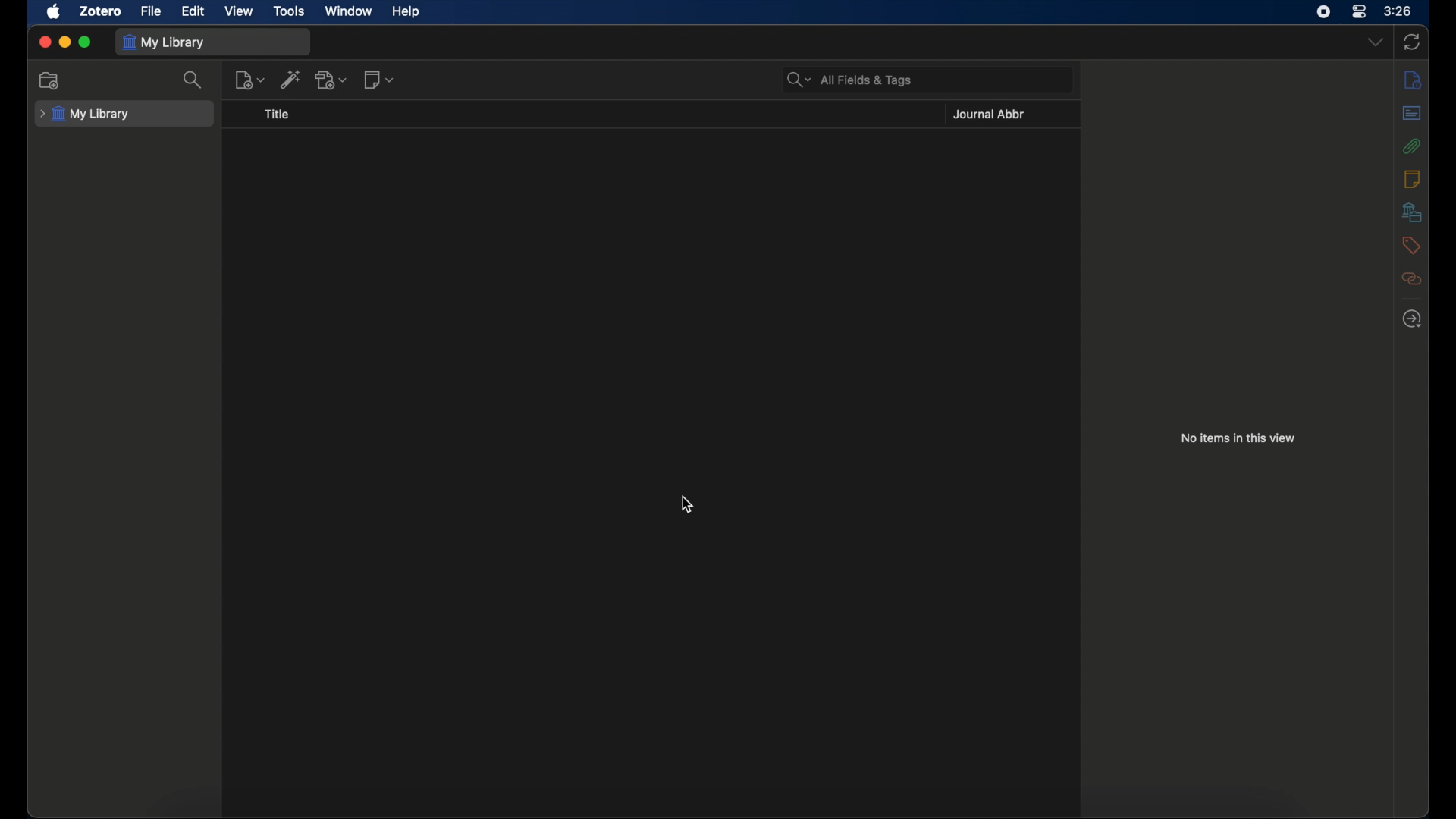  Describe the element at coordinates (1411, 245) in the screenshot. I see `tags` at that location.